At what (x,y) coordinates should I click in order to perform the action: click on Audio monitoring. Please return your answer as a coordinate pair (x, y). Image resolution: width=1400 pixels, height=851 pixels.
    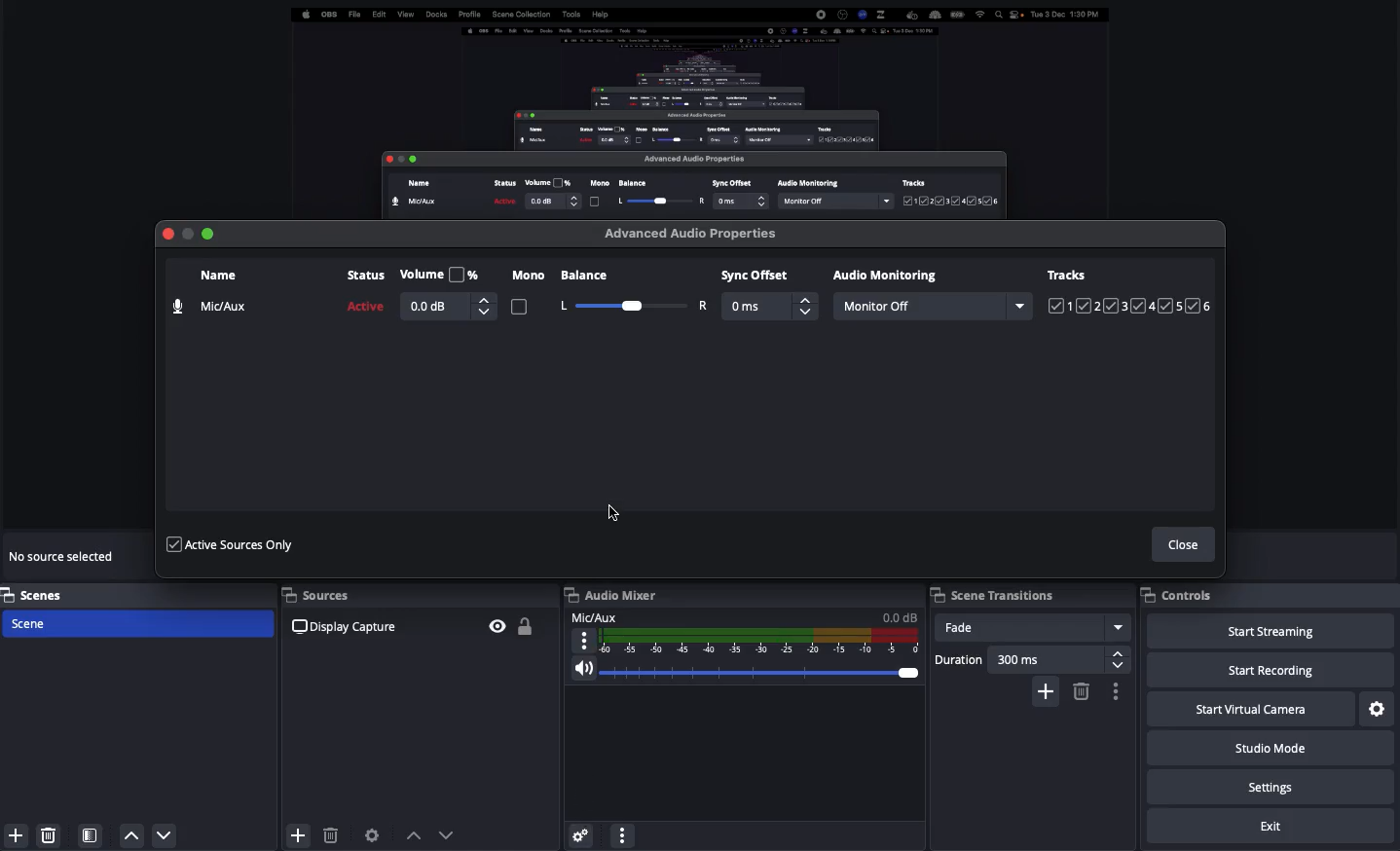
    Looking at the image, I should click on (889, 275).